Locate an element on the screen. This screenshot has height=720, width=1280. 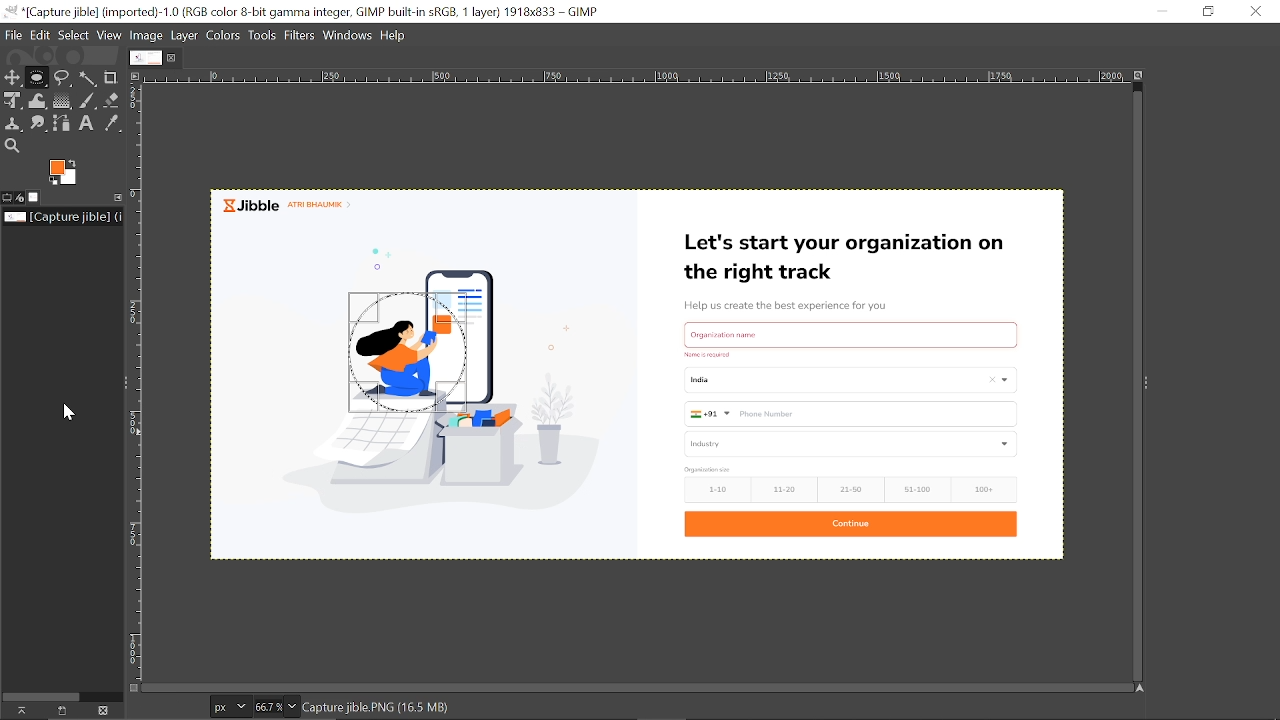
Toggle quick mask on/off is located at coordinates (133, 686).